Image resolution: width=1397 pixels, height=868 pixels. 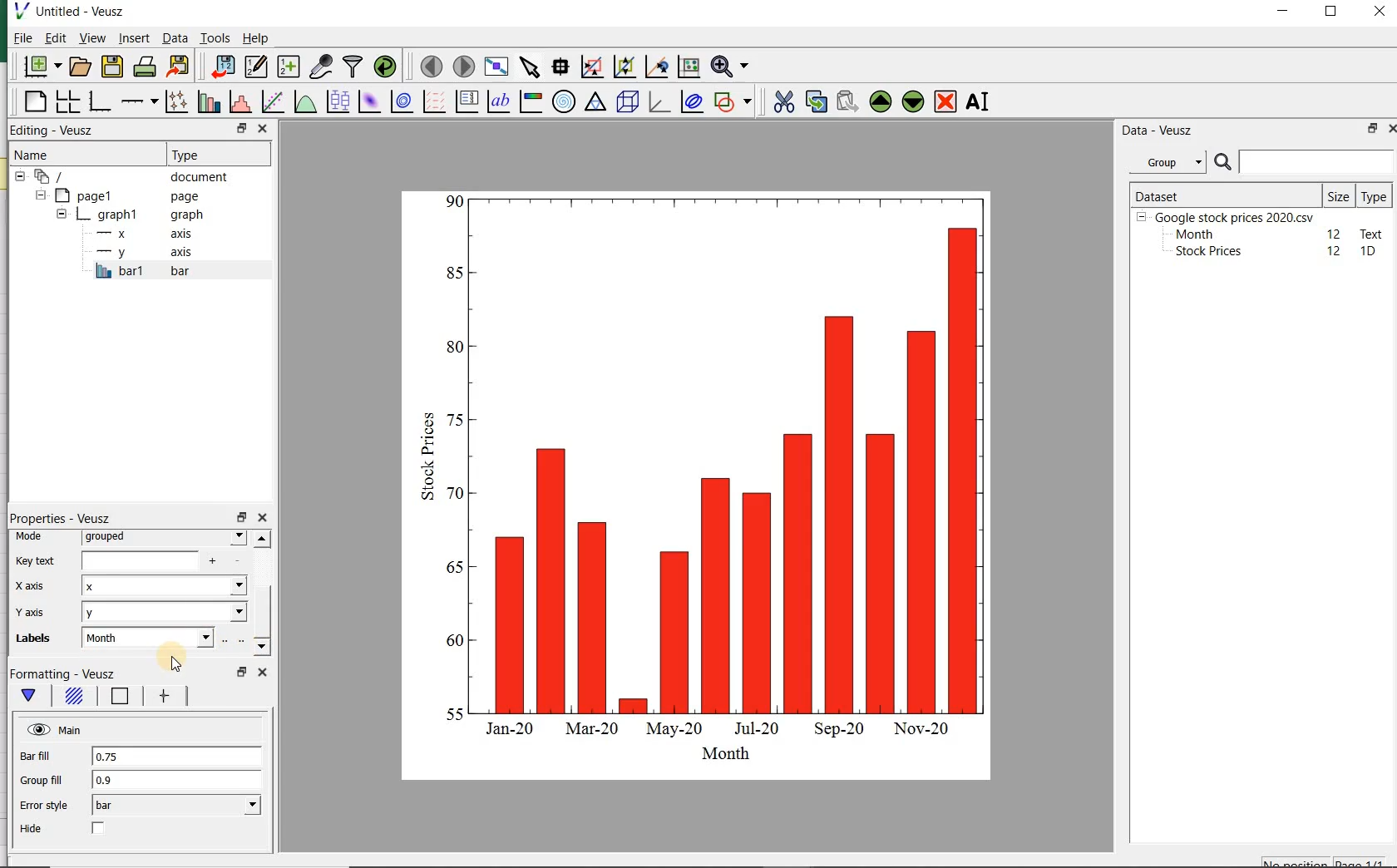 I want to click on Labels, so click(x=29, y=638).